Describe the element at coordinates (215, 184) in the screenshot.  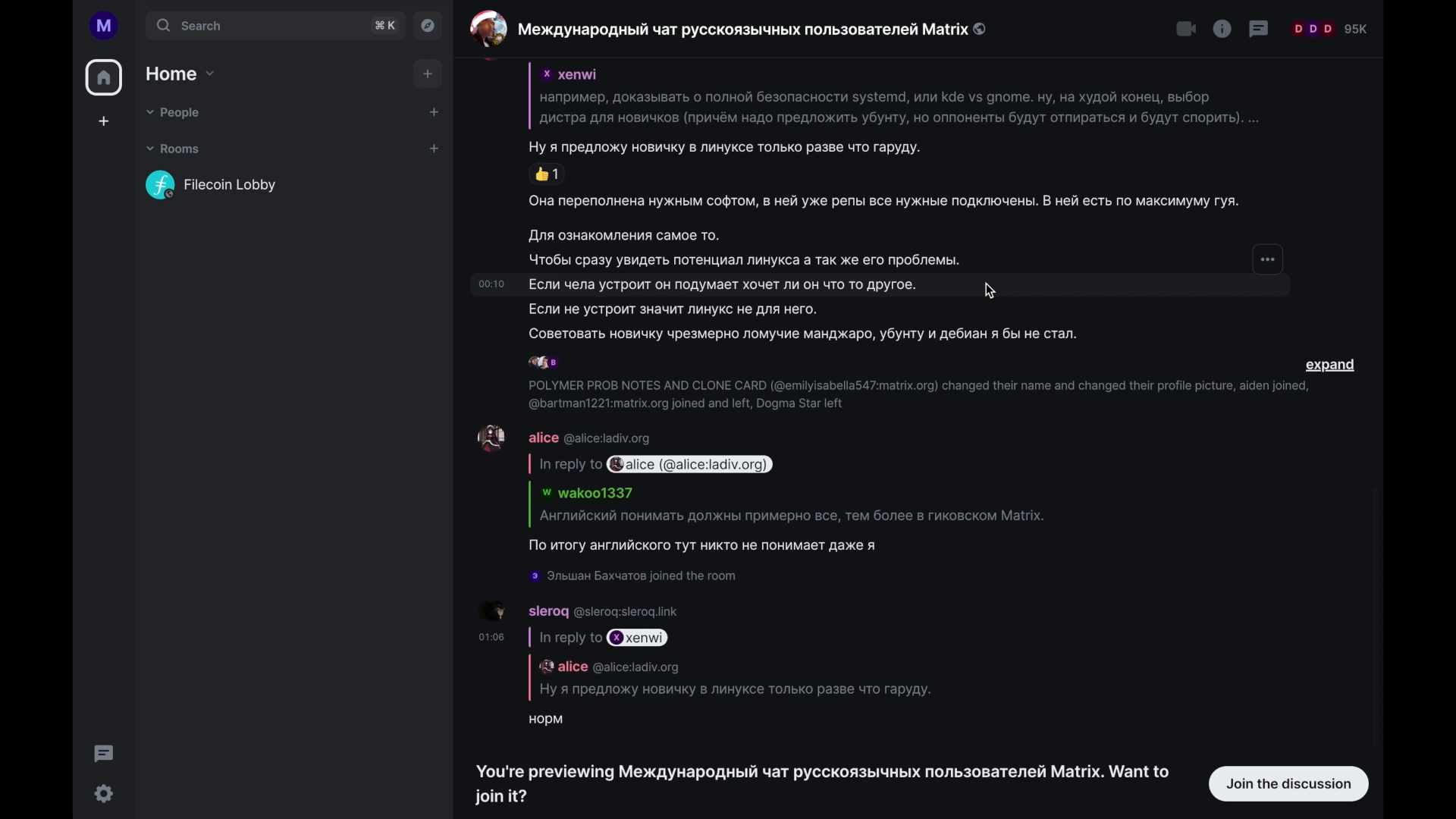
I see `Flecoin Lobby` at that location.